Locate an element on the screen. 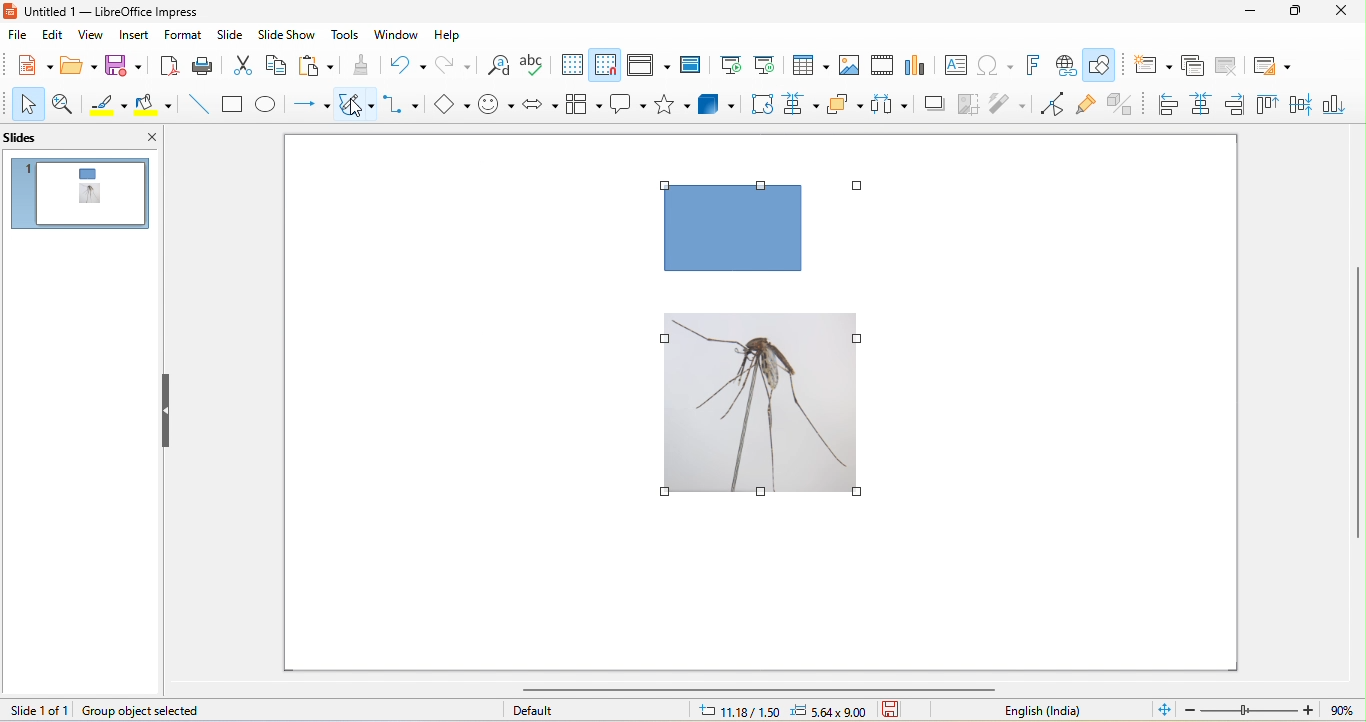 The image size is (1366, 722). video is located at coordinates (883, 68).